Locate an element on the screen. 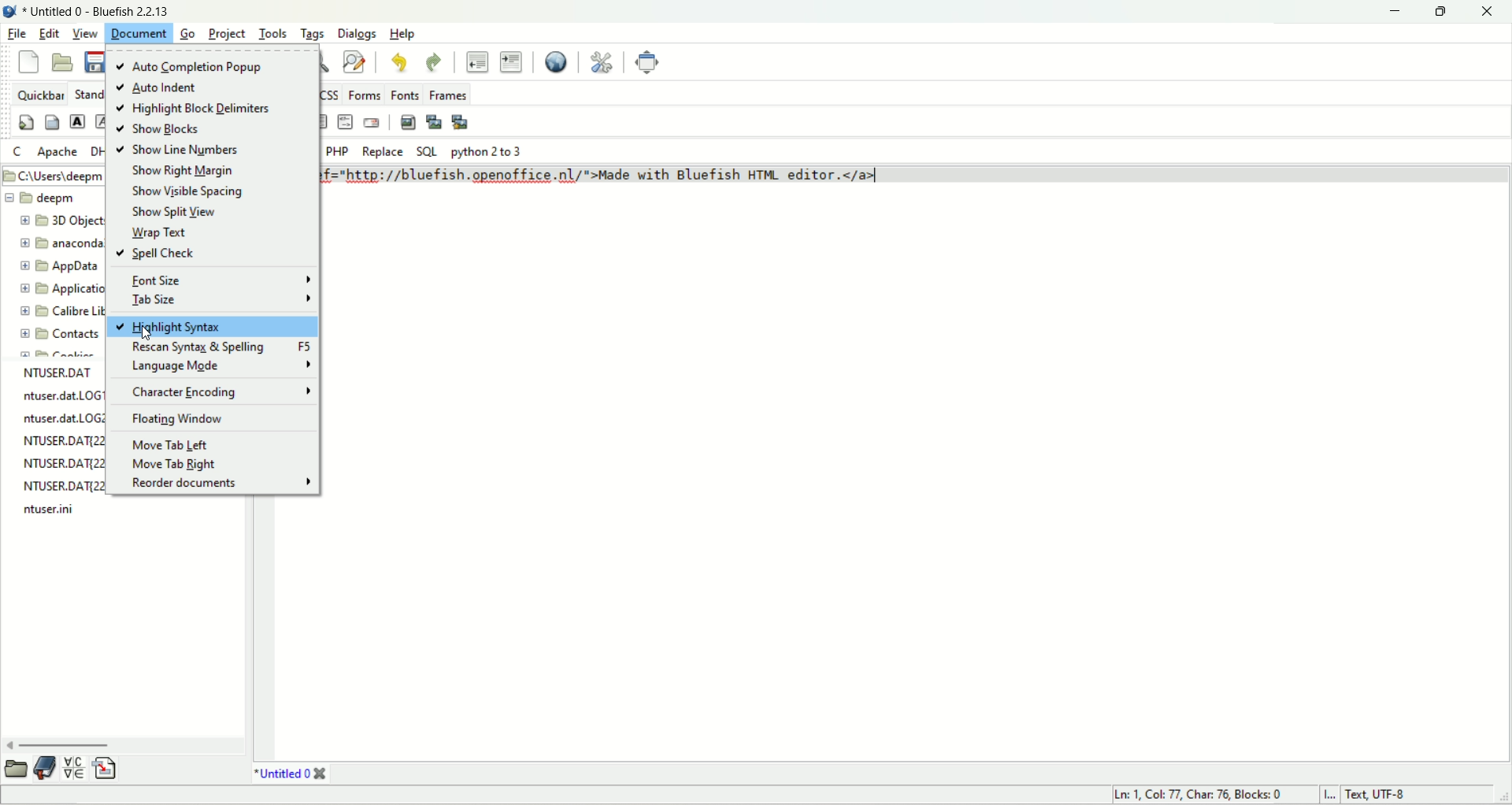 The image size is (1512, 805). preview in browser is located at coordinates (557, 61).